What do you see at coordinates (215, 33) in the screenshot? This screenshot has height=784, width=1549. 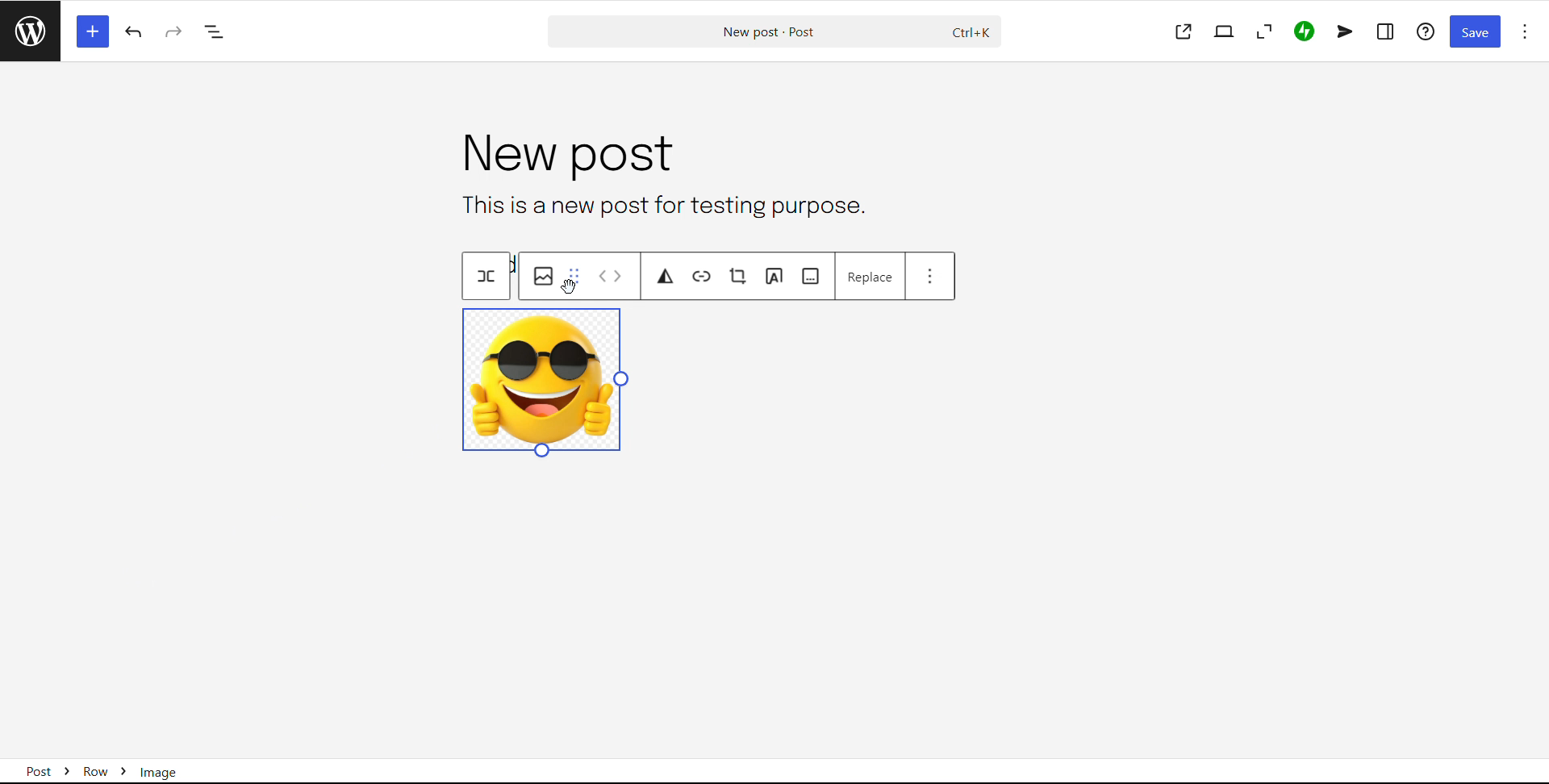 I see `document overview` at bounding box center [215, 33].